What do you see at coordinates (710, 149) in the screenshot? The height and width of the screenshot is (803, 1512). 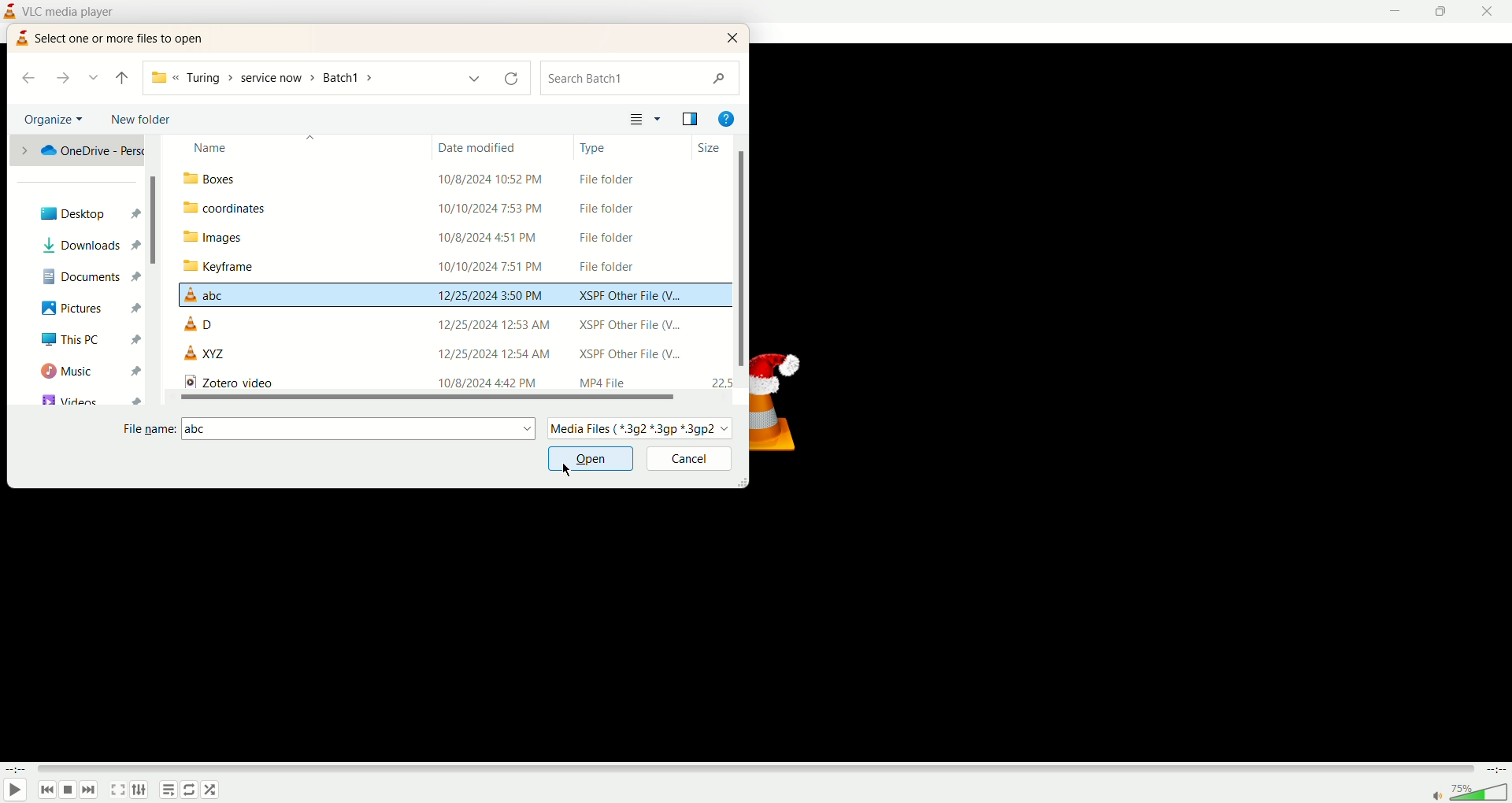 I see `size` at bounding box center [710, 149].